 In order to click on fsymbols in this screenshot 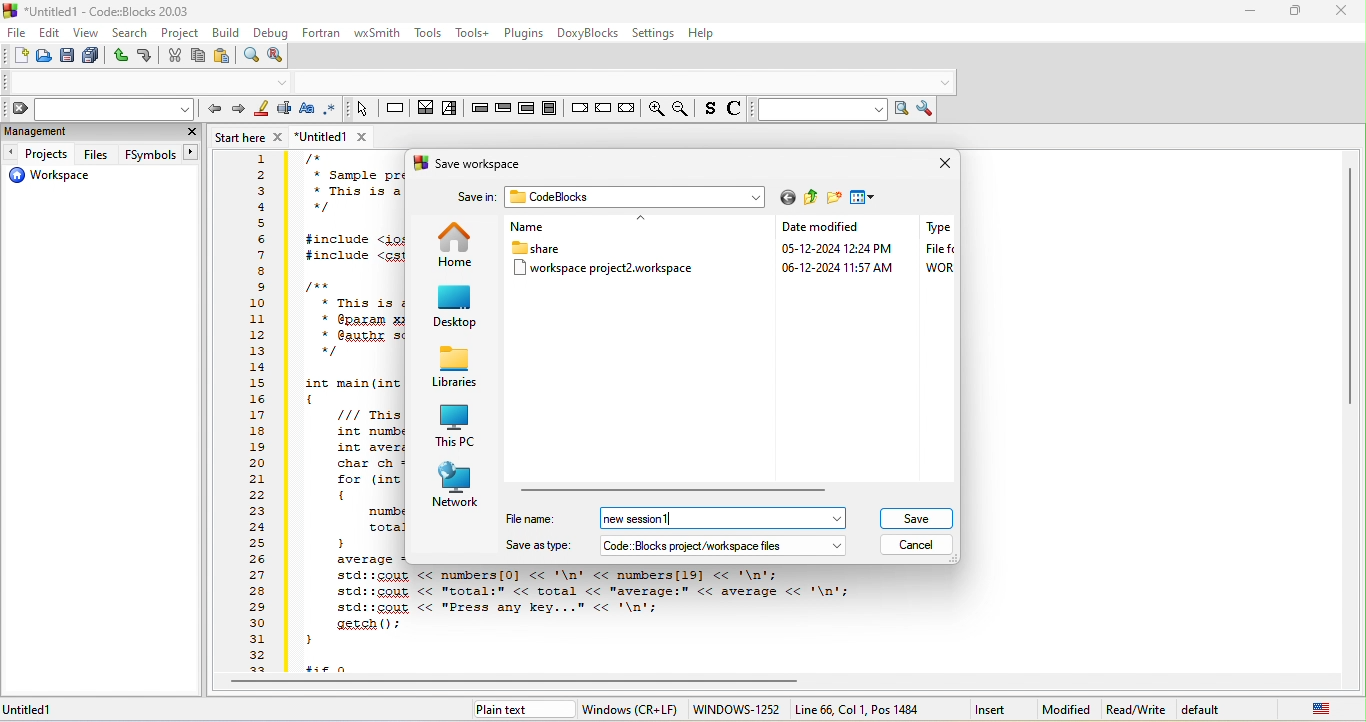, I will do `click(160, 154)`.